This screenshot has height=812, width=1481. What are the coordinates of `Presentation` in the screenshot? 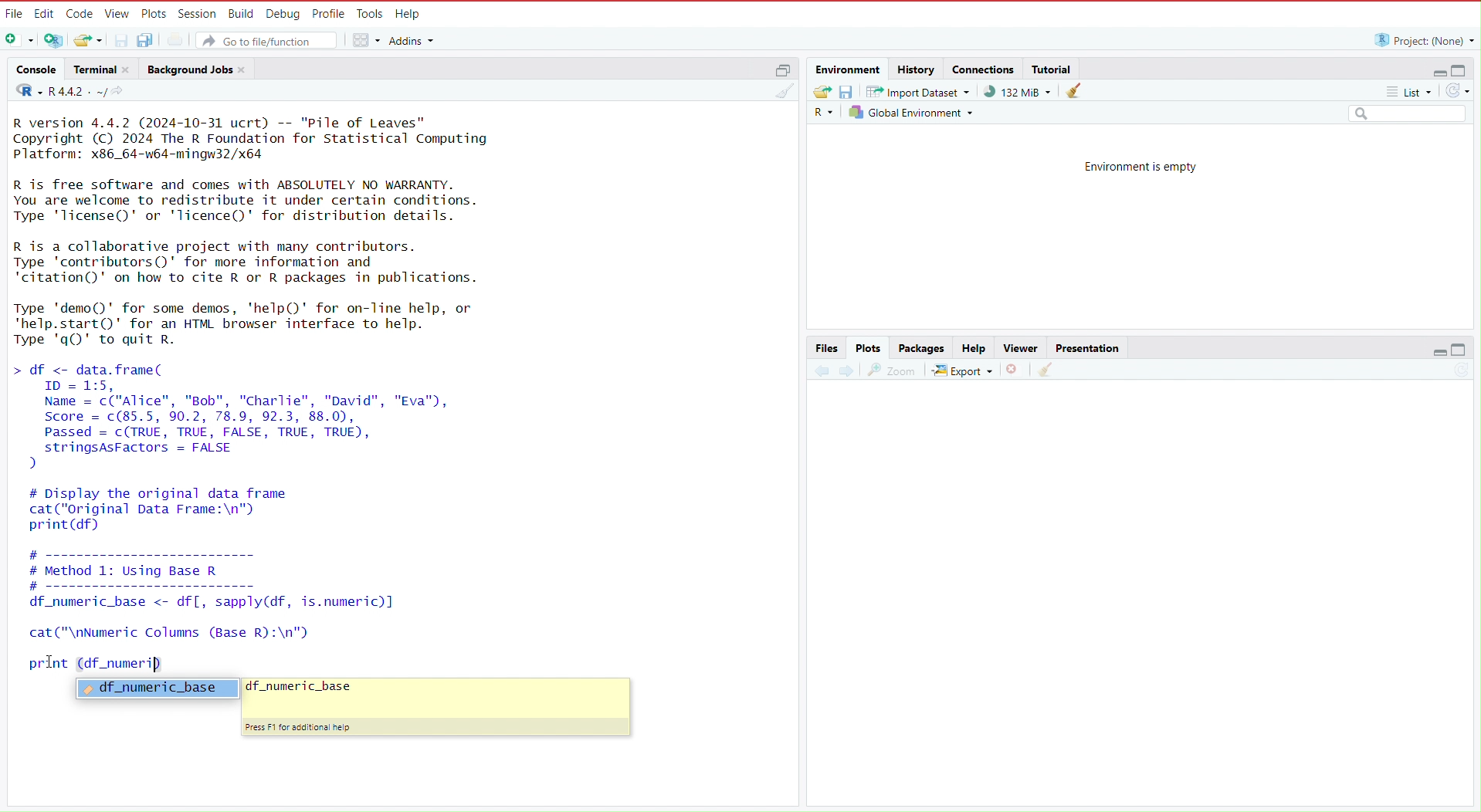 It's located at (1087, 345).